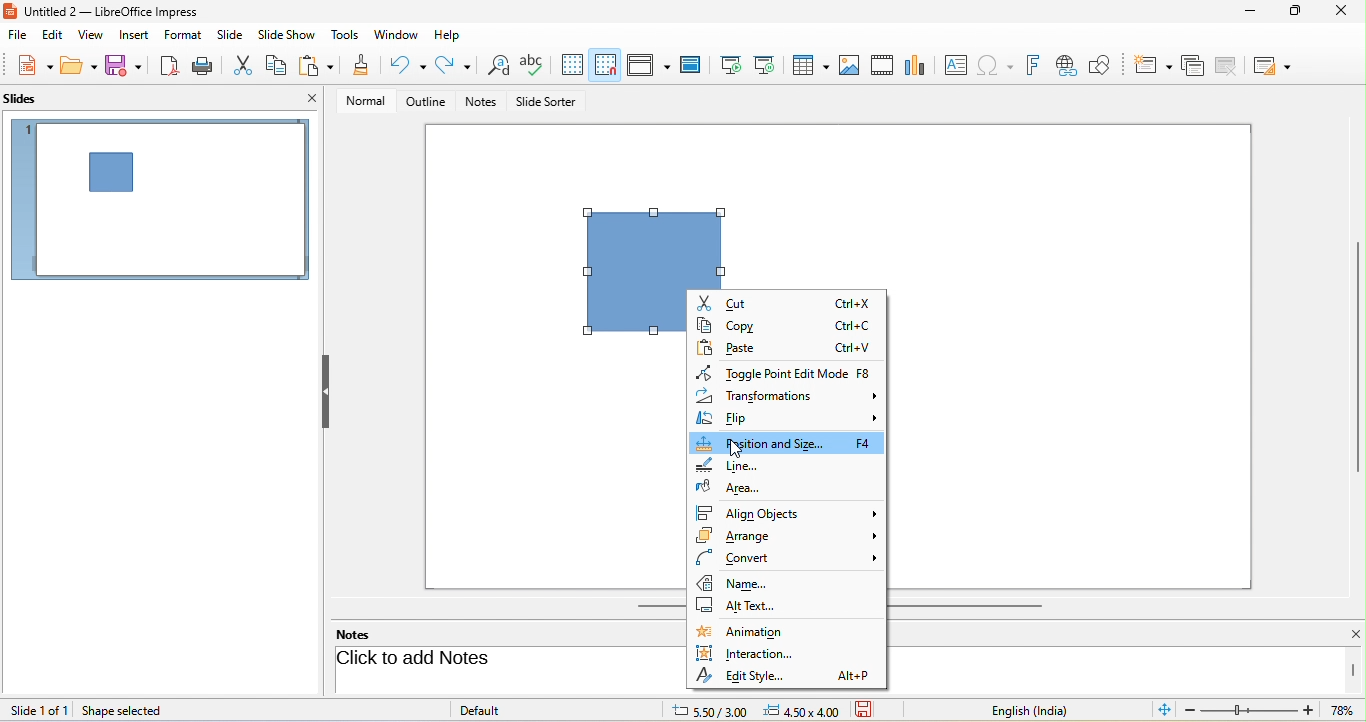 The width and height of the screenshot is (1366, 722). Describe the element at coordinates (362, 67) in the screenshot. I see `clone formatting` at that location.